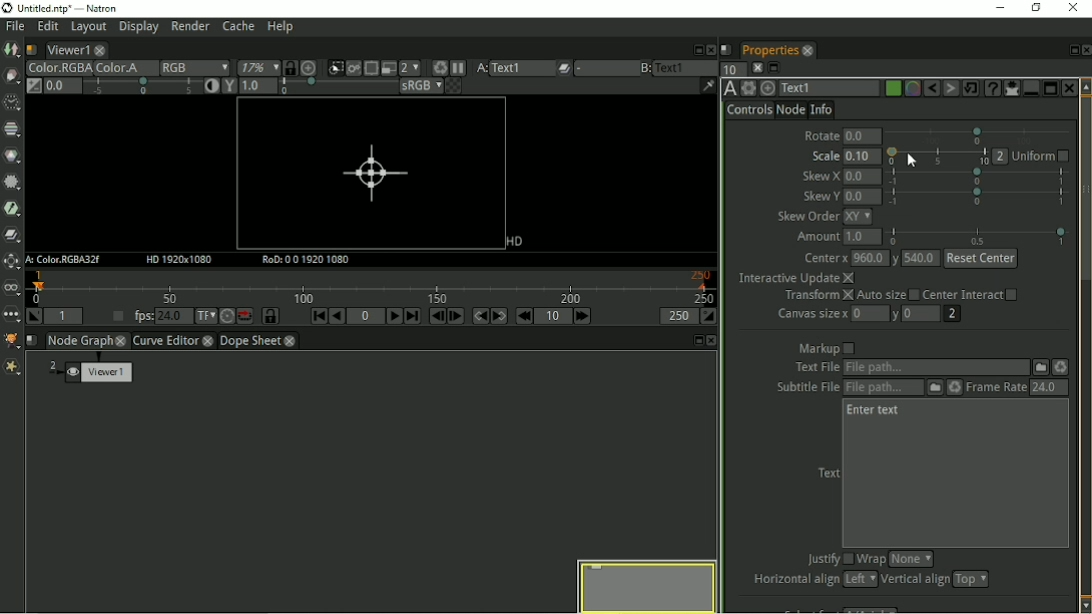 The height and width of the screenshot is (614, 1092). Describe the element at coordinates (926, 367) in the screenshot. I see `Text file` at that location.